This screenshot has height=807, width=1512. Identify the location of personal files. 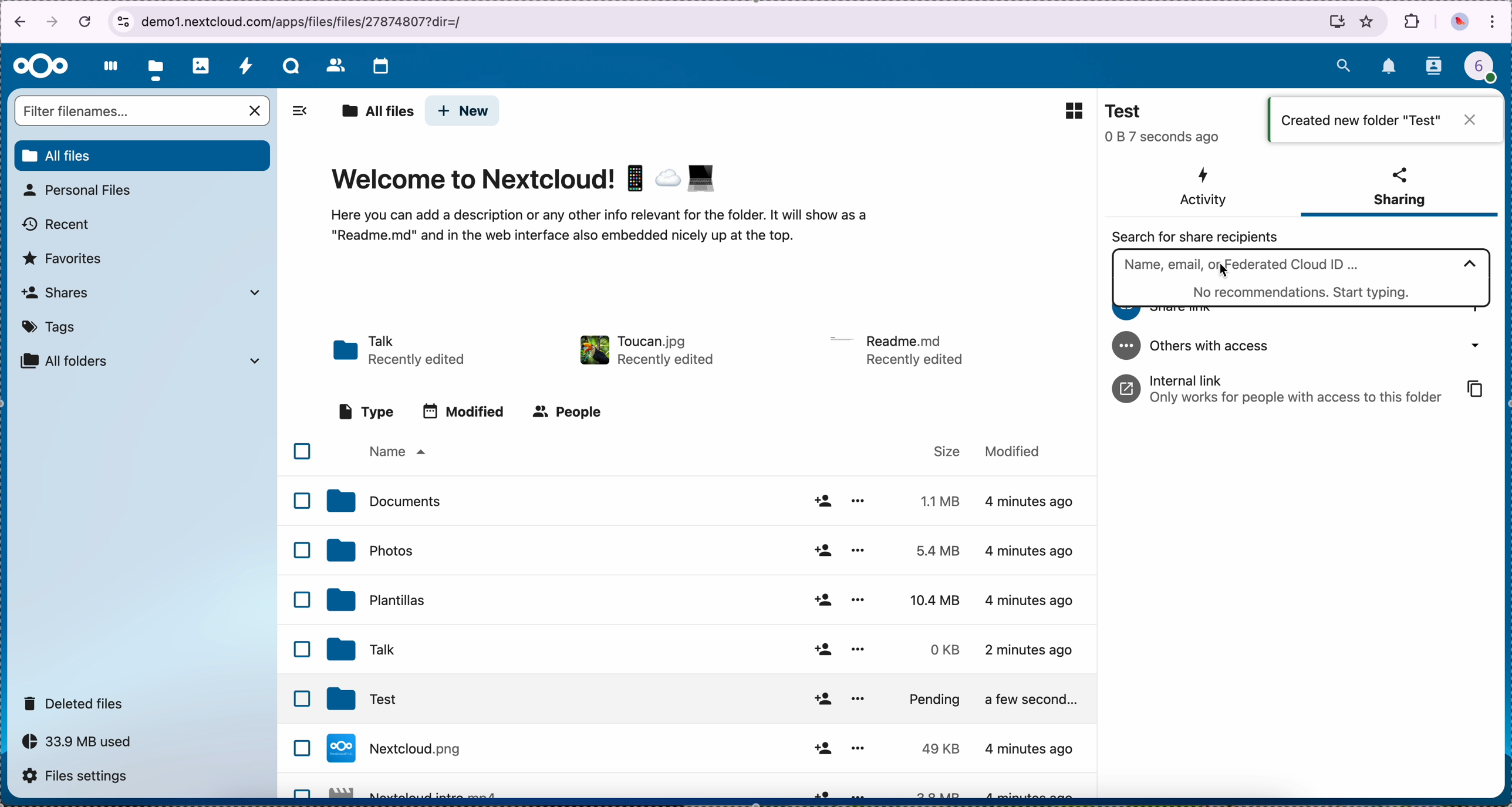
(81, 190).